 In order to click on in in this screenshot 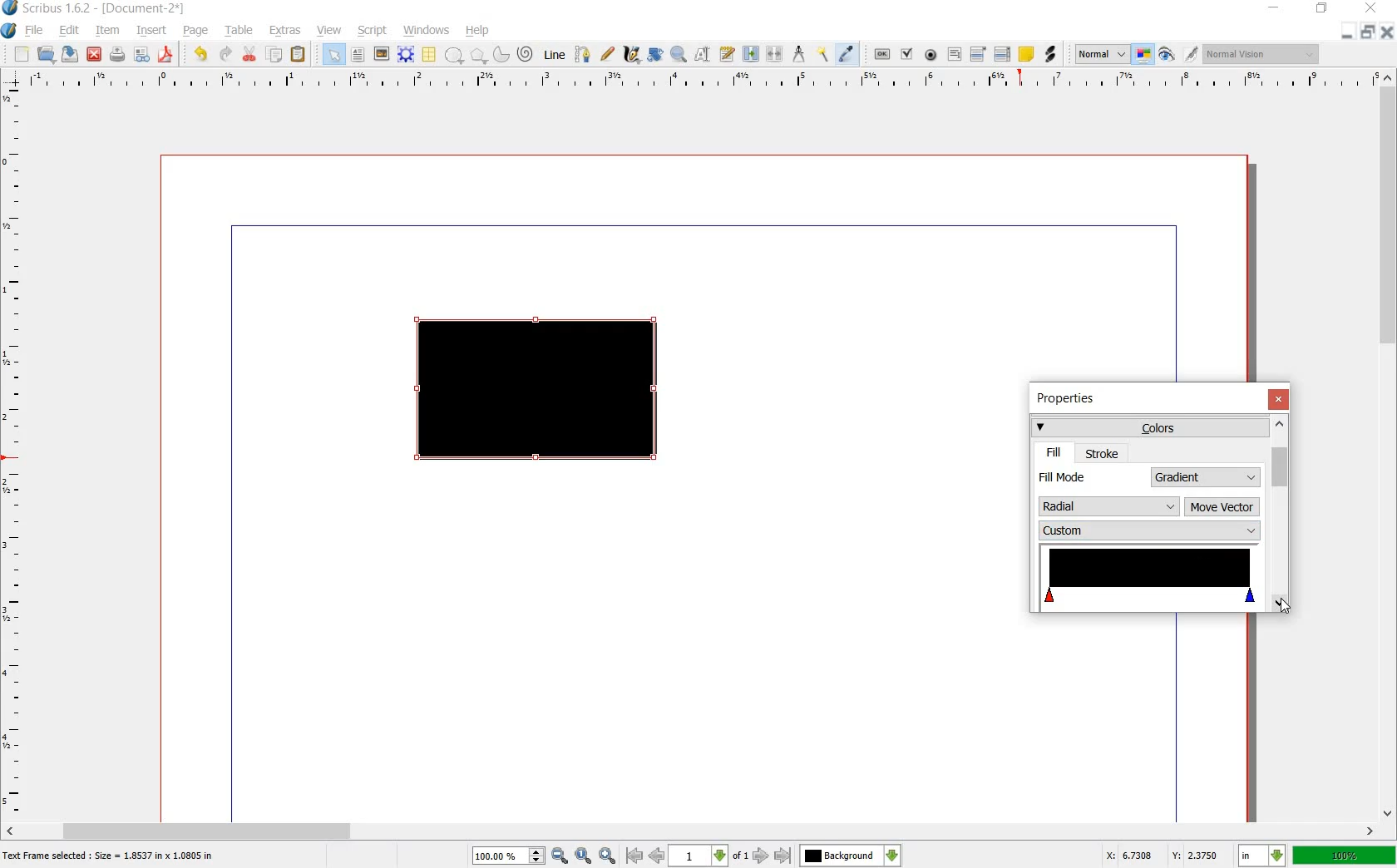, I will do `click(1263, 856)`.